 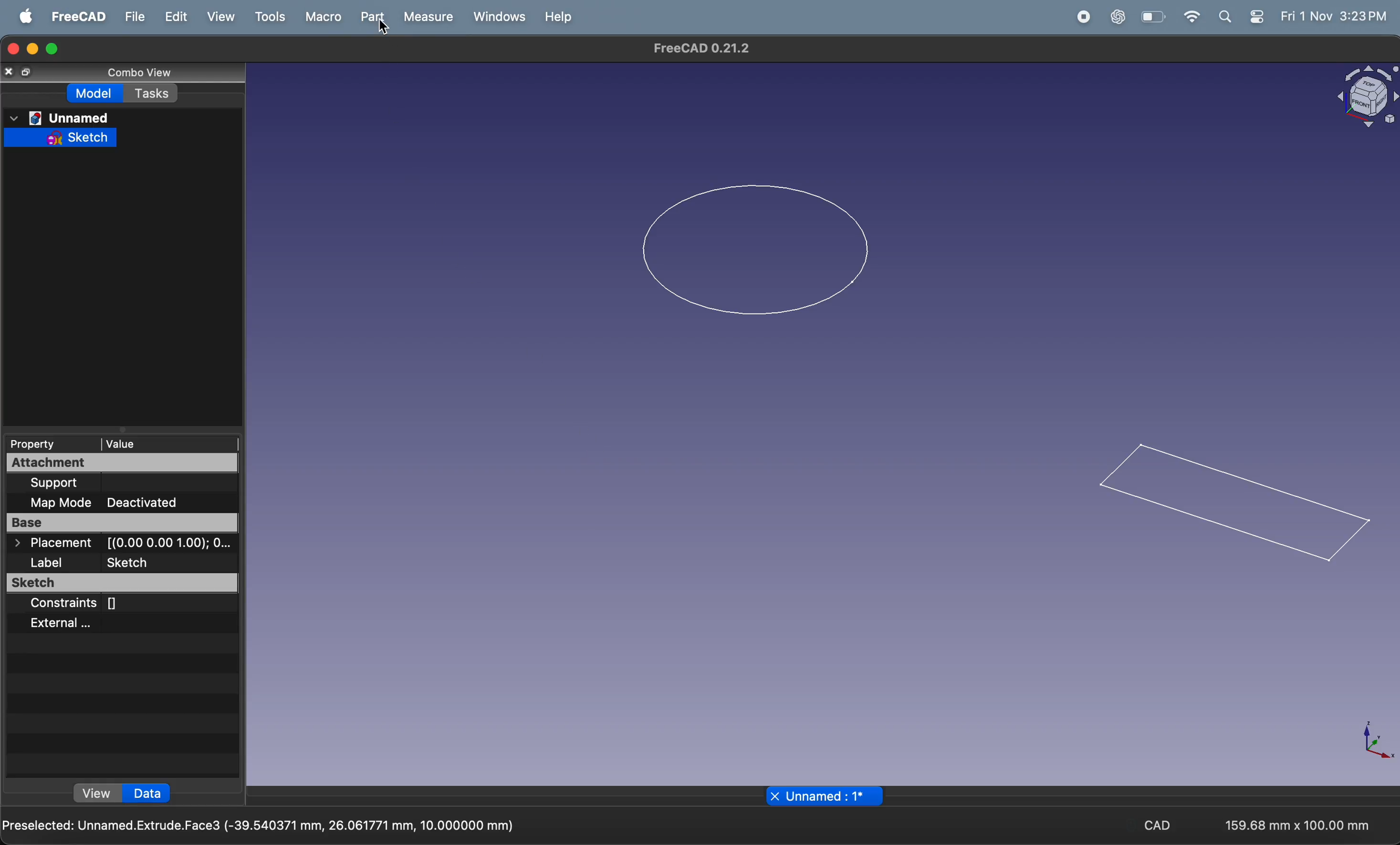 I want to click on wifi, so click(x=1192, y=16).